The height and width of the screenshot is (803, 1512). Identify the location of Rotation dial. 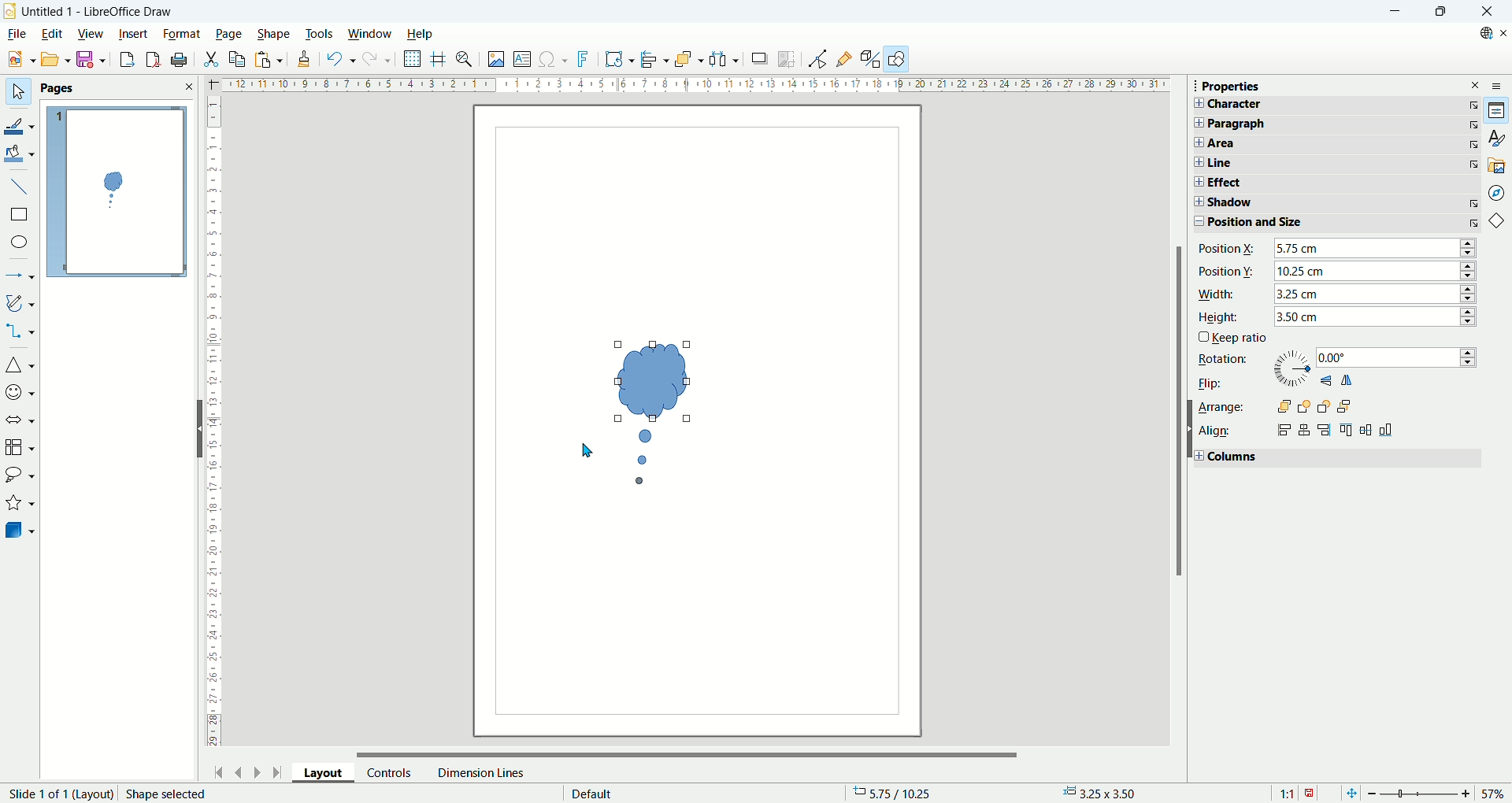
(1292, 368).